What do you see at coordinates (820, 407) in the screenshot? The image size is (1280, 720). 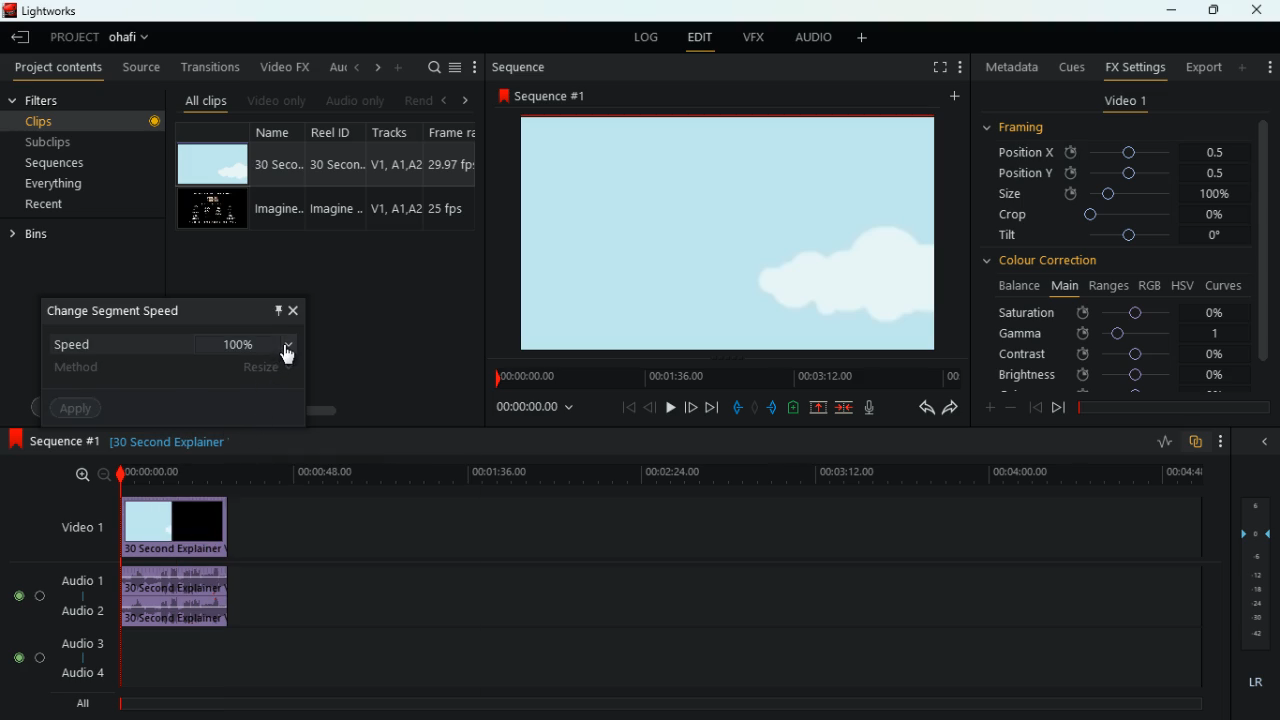 I see `up` at bounding box center [820, 407].